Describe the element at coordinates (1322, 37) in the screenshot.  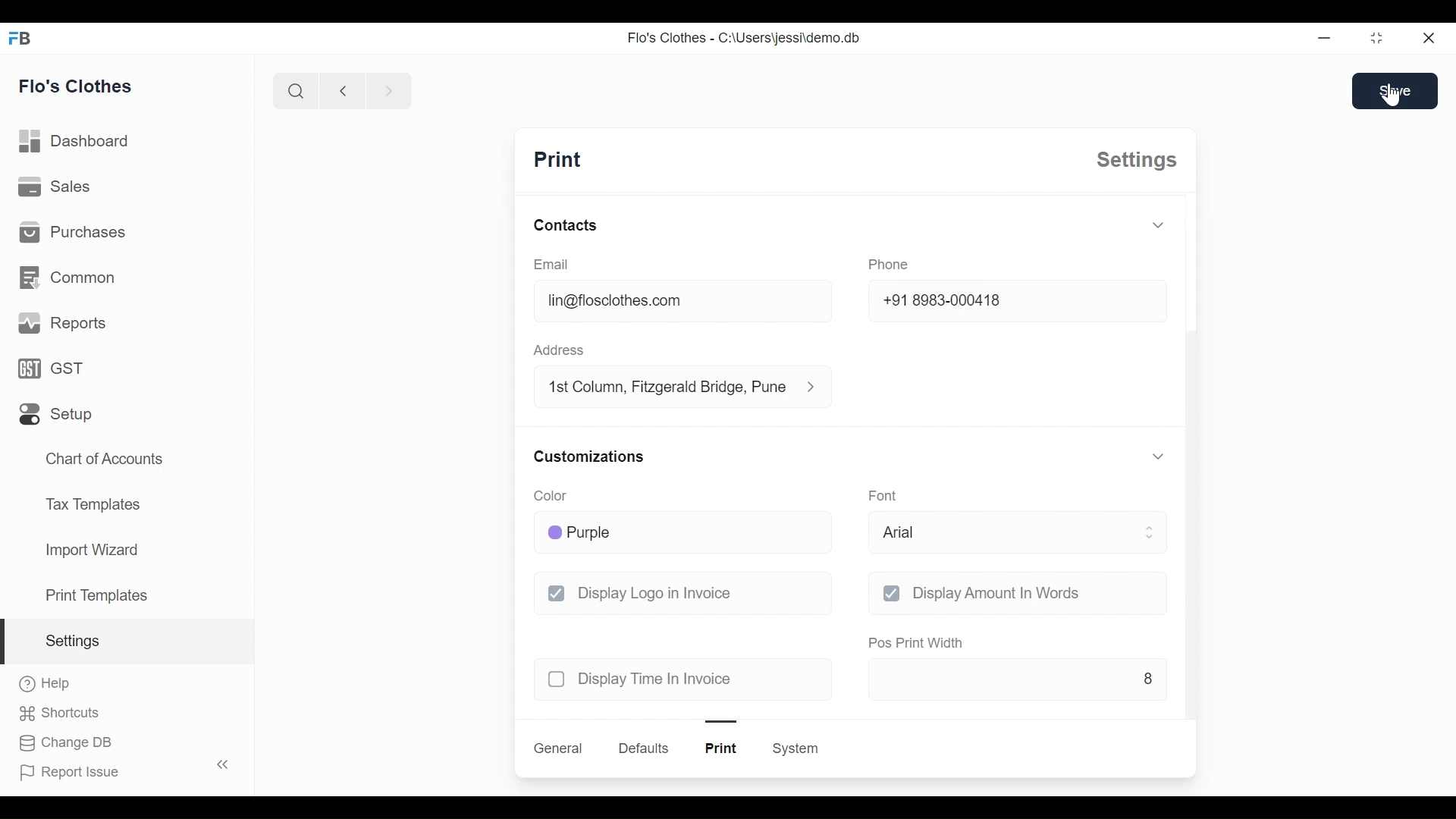
I see `Minimize` at that location.